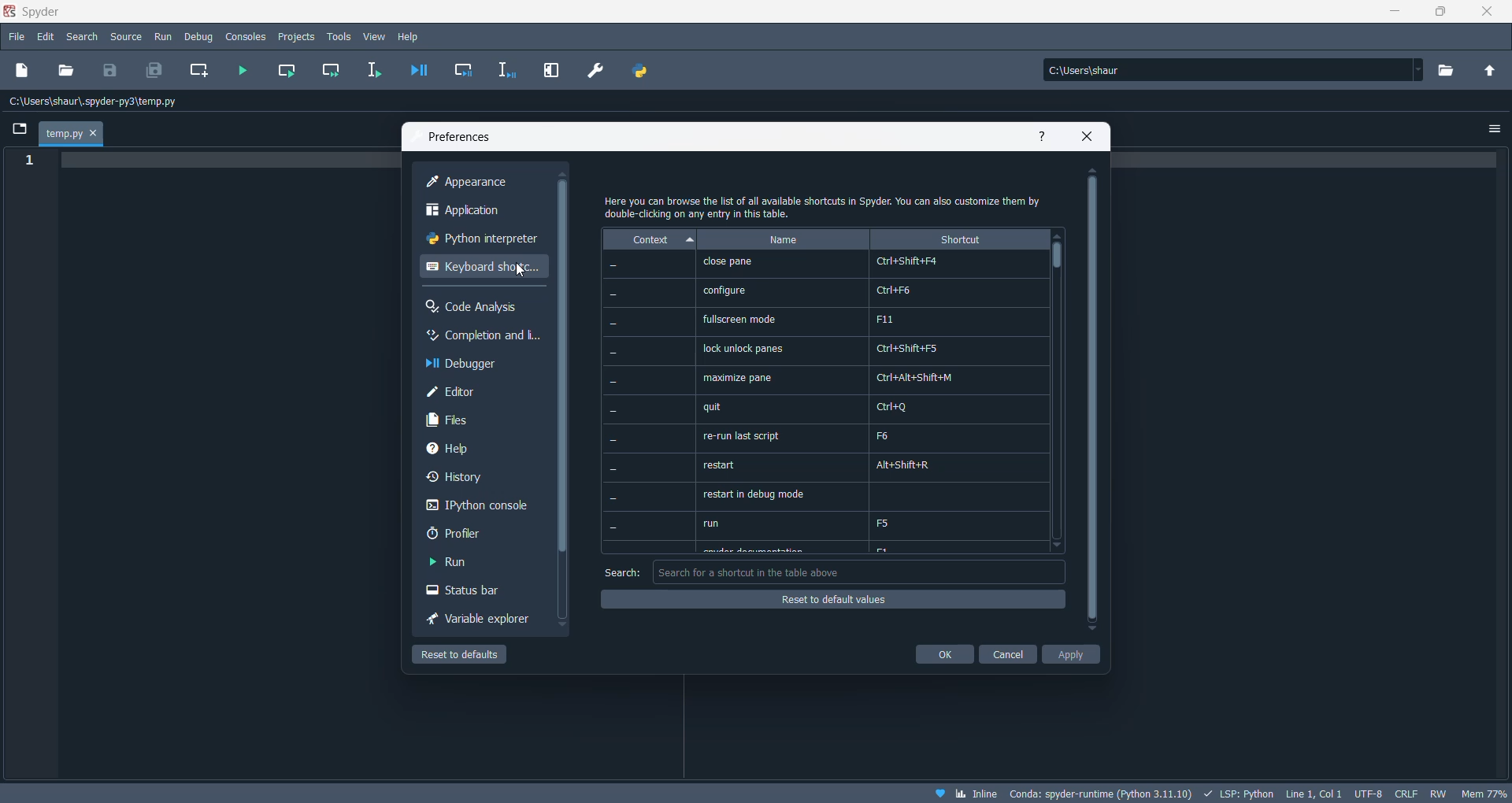 Image resolution: width=1512 pixels, height=803 pixels. I want to click on help, so click(475, 451).